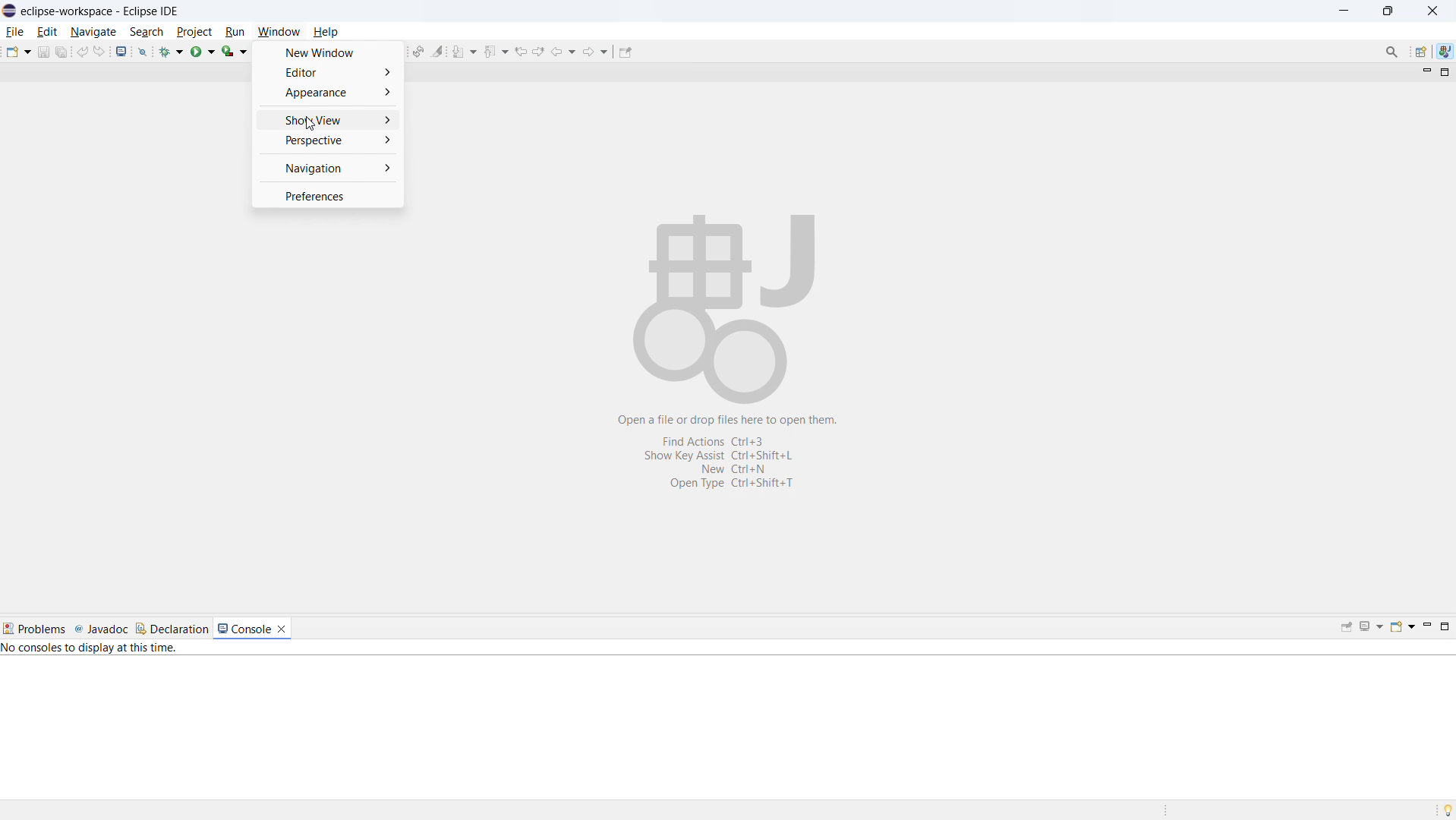 This screenshot has height=820, width=1456. I want to click on save all, so click(62, 52).